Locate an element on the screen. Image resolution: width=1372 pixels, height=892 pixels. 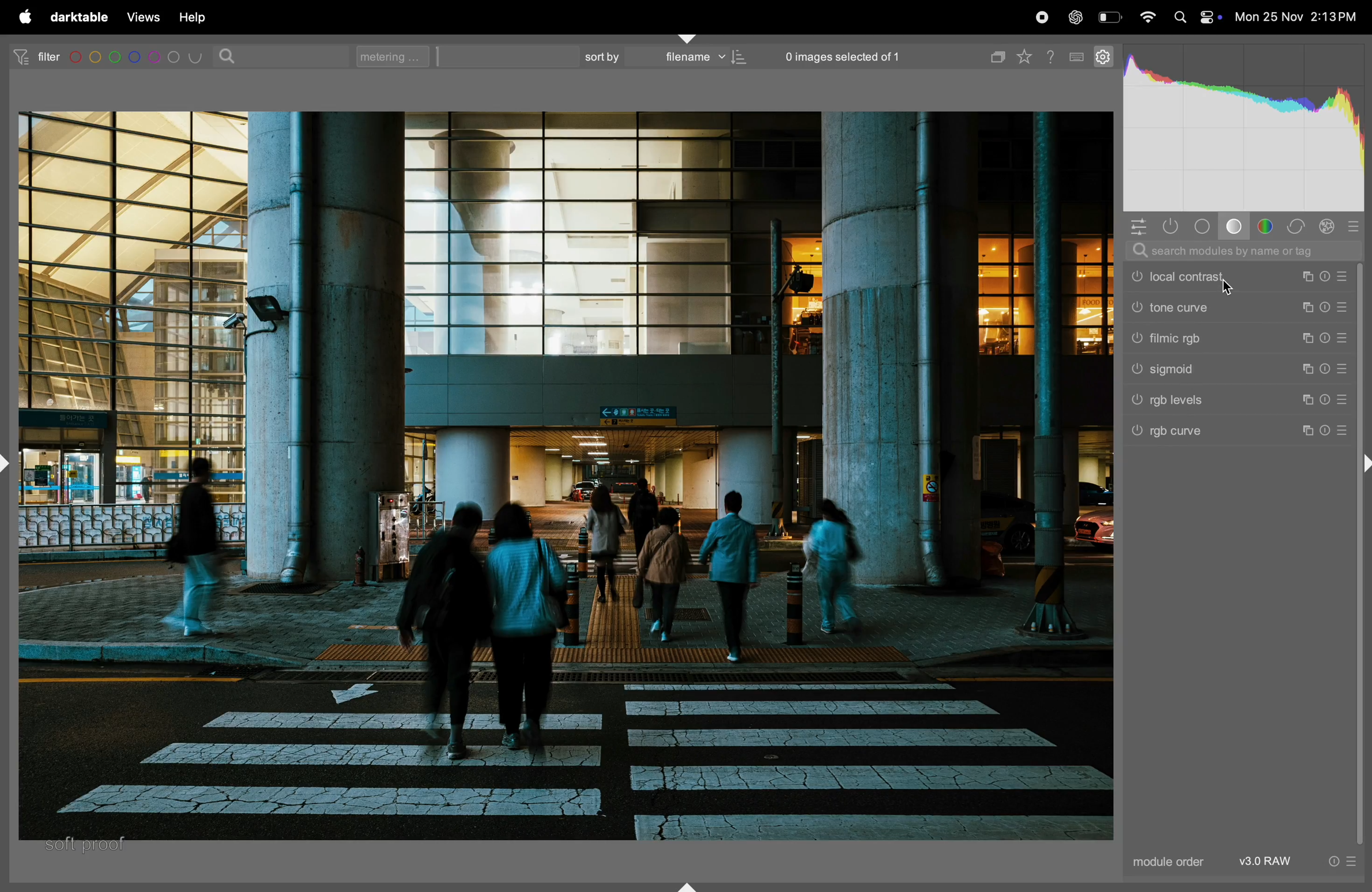
reset is located at coordinates (1326, 398).